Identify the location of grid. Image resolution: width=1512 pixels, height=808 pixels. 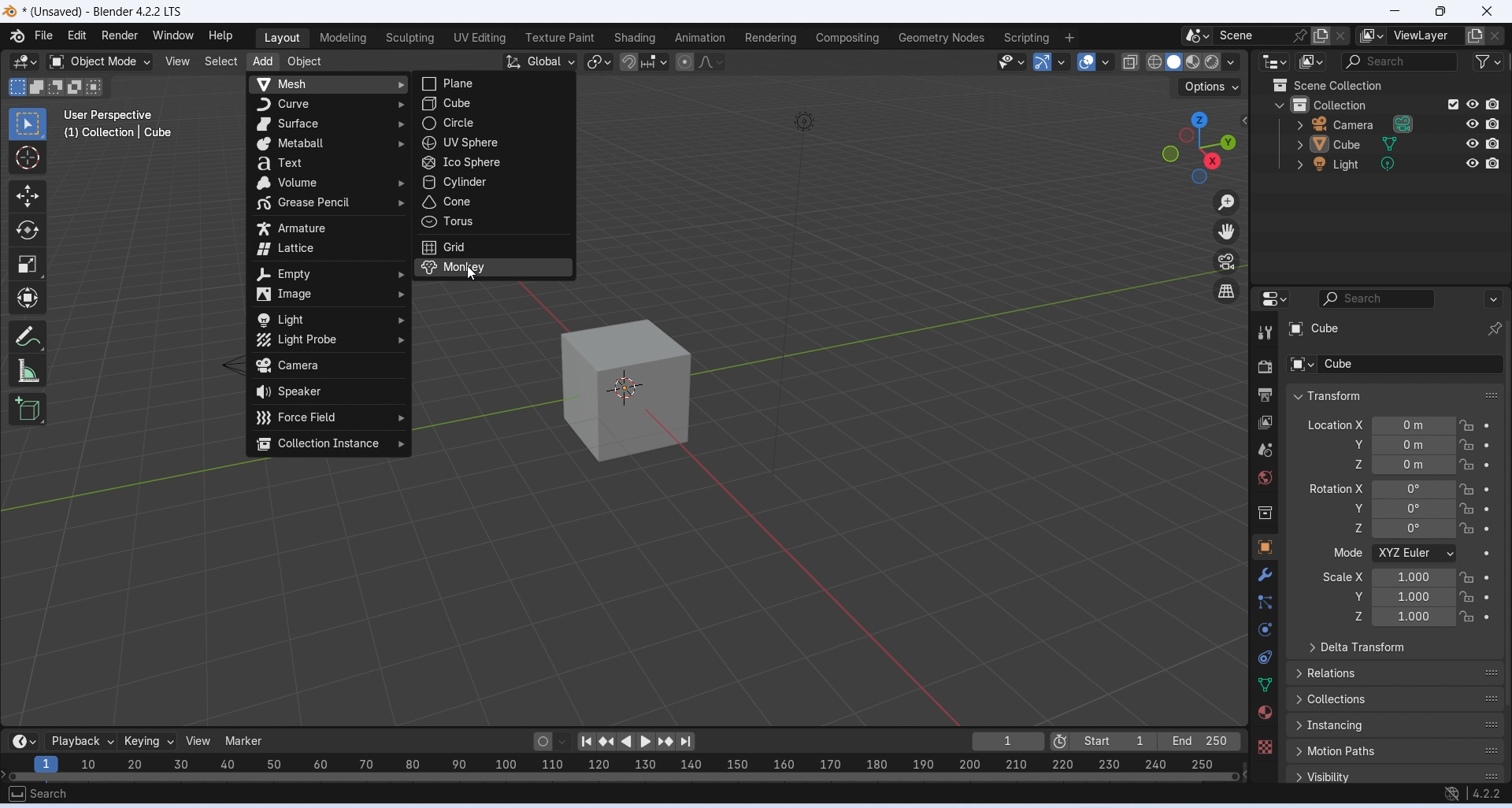
(495, 246).